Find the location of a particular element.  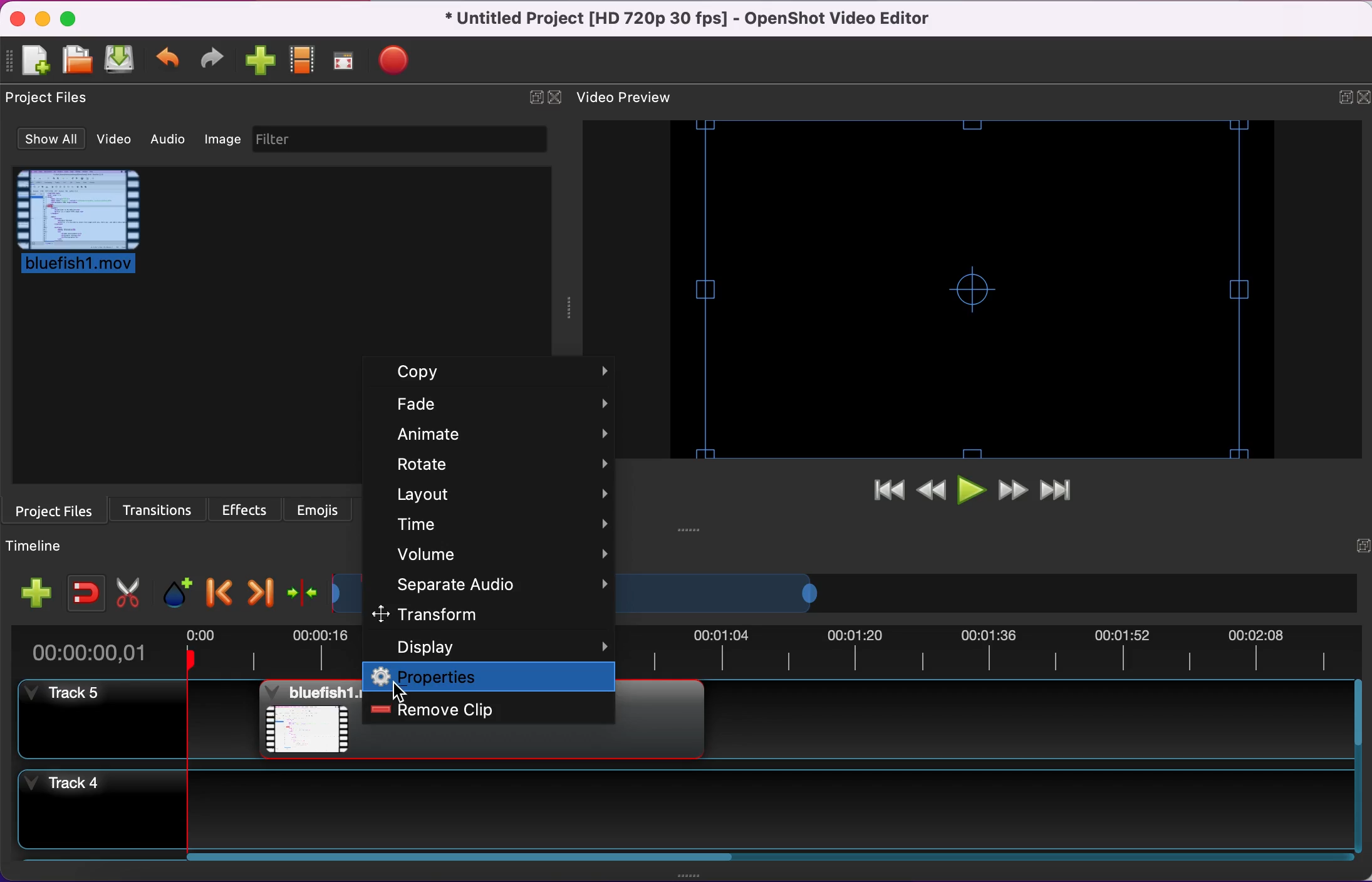

expand/hide is located at coordinates (534, 96).